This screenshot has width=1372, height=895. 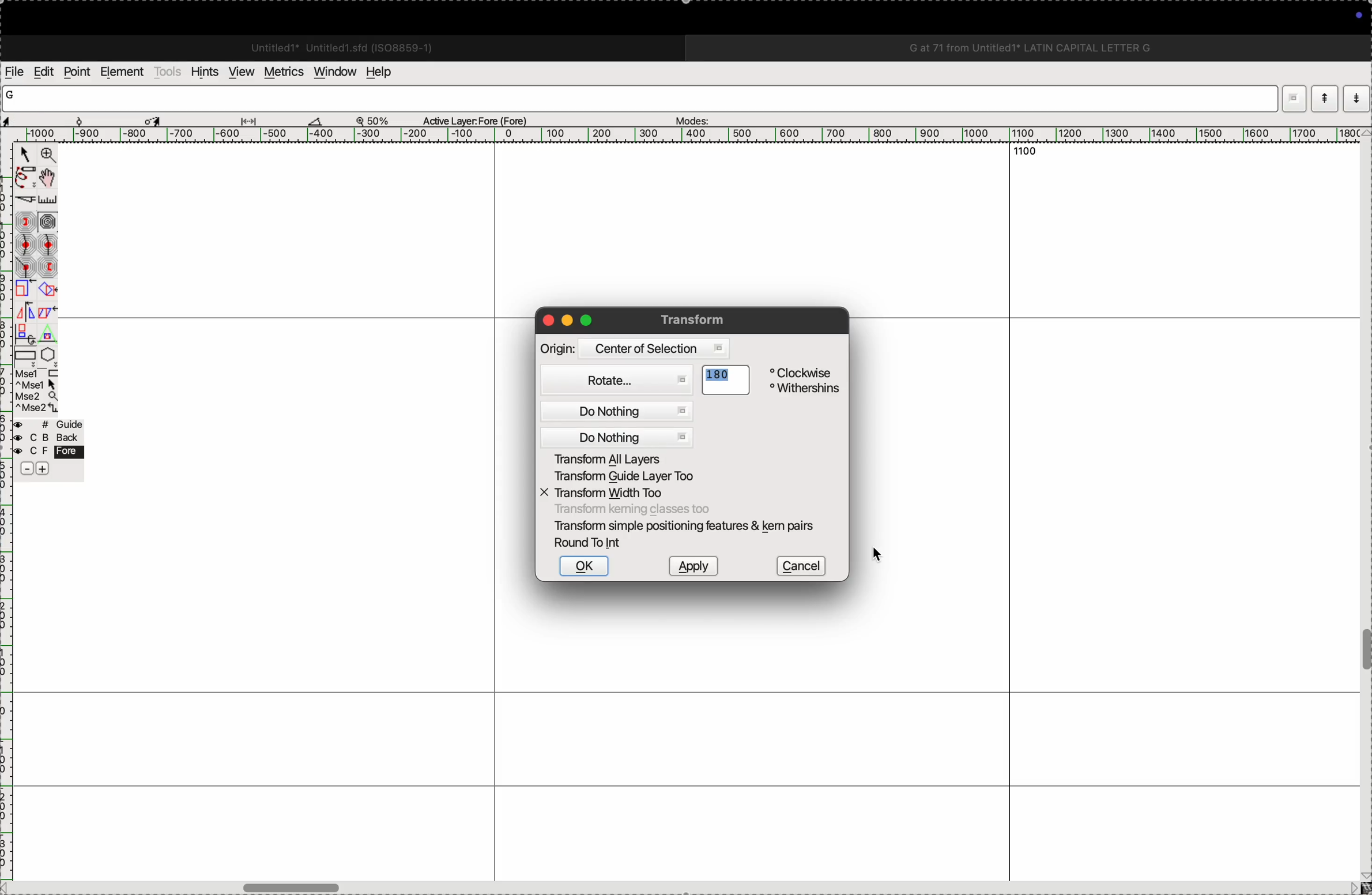 What do you see at coordinates (48, 438) in the screenshot?
I see `back layer` at bounding box center [48, 438].